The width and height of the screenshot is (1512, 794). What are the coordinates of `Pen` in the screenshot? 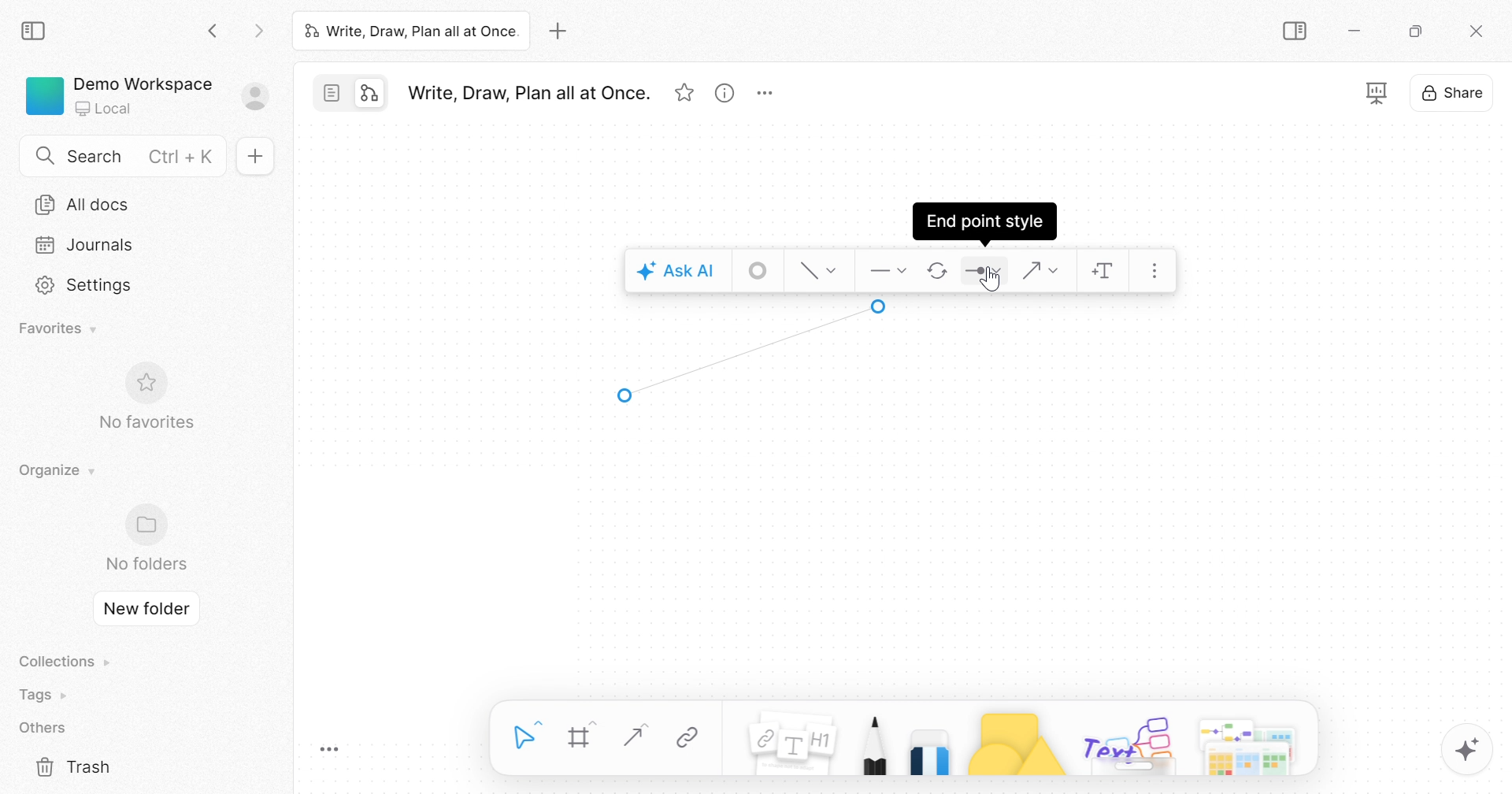 It's located at (873, 743).